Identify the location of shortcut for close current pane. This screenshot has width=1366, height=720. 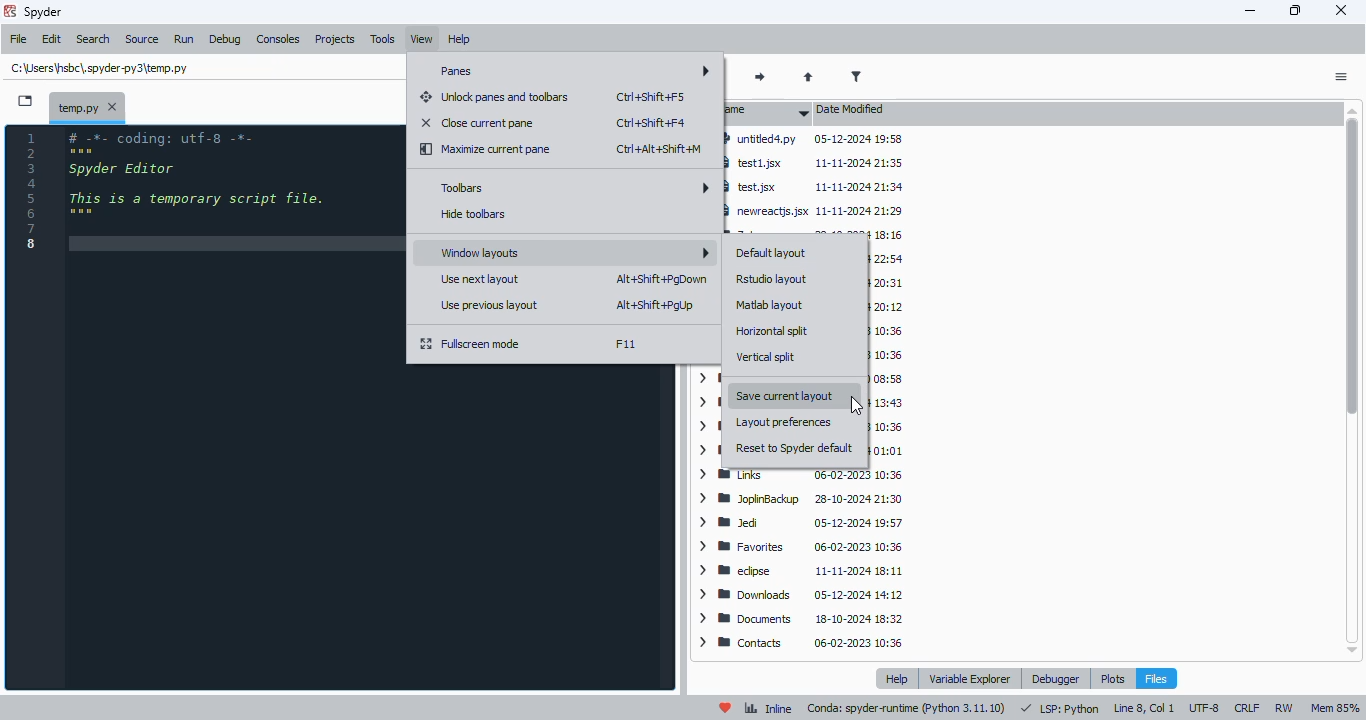
(650, 123).